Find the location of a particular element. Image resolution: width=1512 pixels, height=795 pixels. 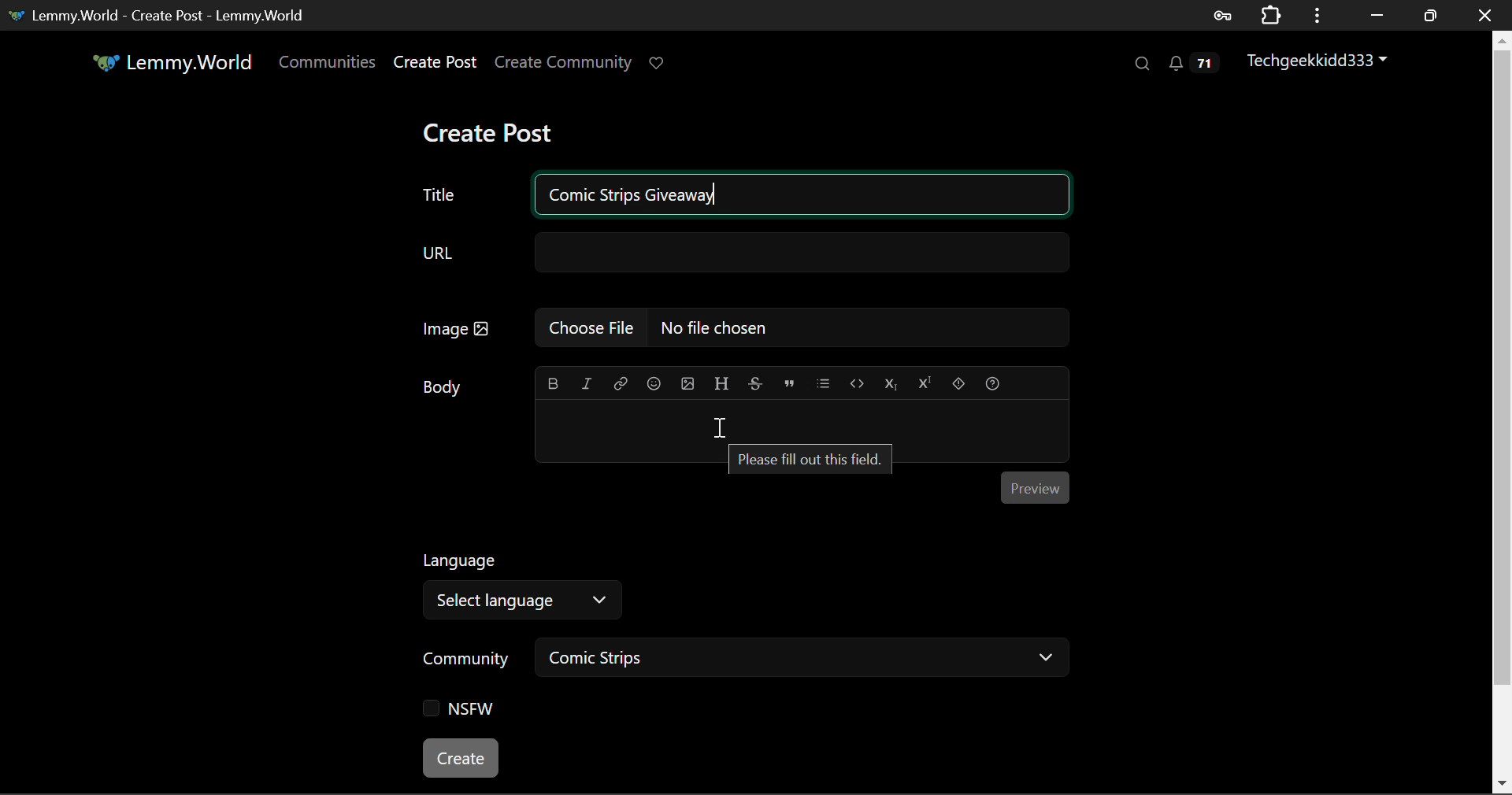

Cursor Position is located at coordinates (721, 427).